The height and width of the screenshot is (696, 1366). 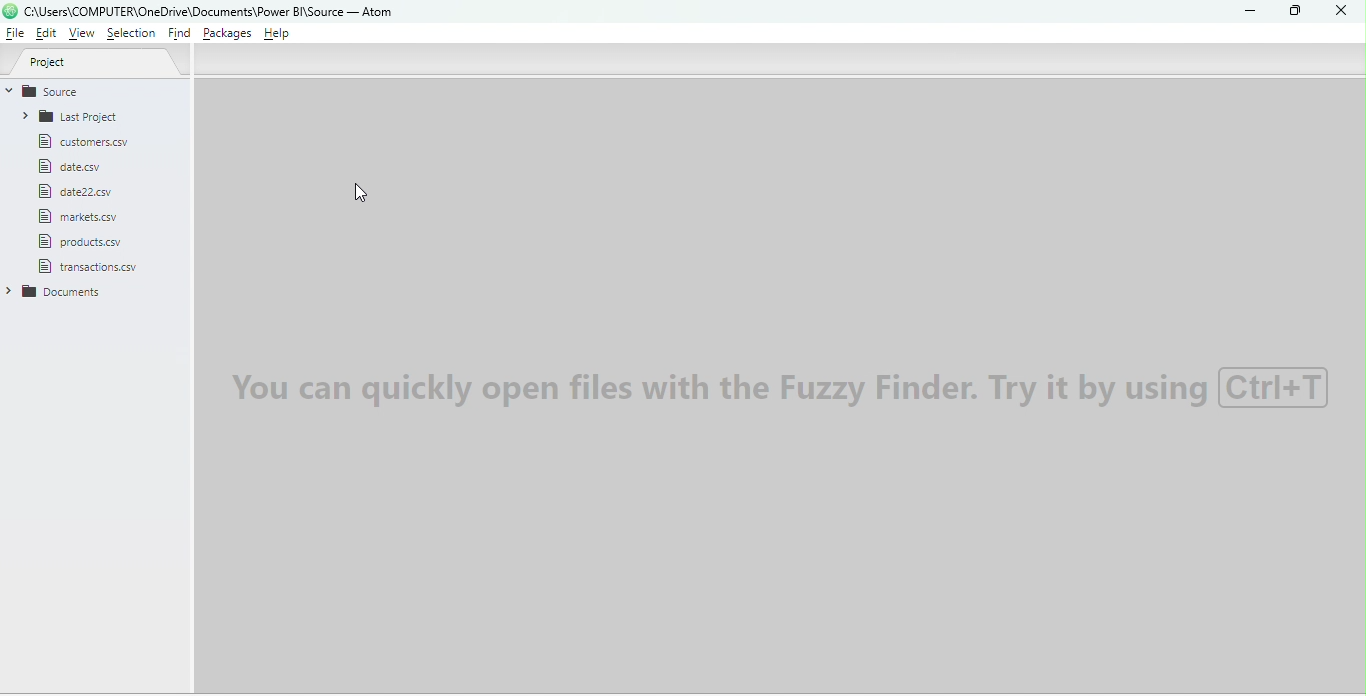 What do you see at coordinates (79, 167) in the screenshot?
I see `File` at bounding box center [79, 167].